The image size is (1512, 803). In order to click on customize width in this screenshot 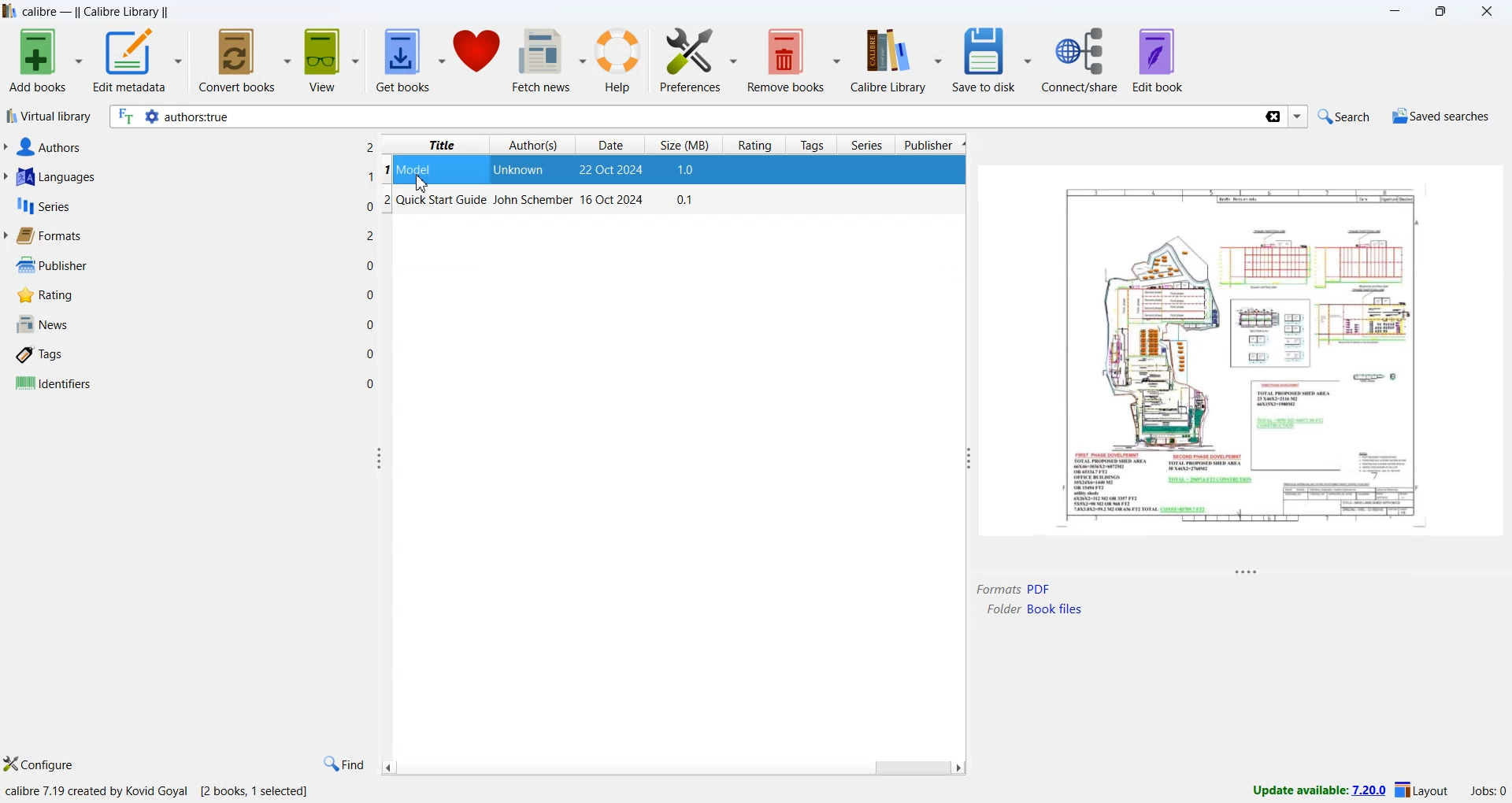, I will do `click(965, 458)`.